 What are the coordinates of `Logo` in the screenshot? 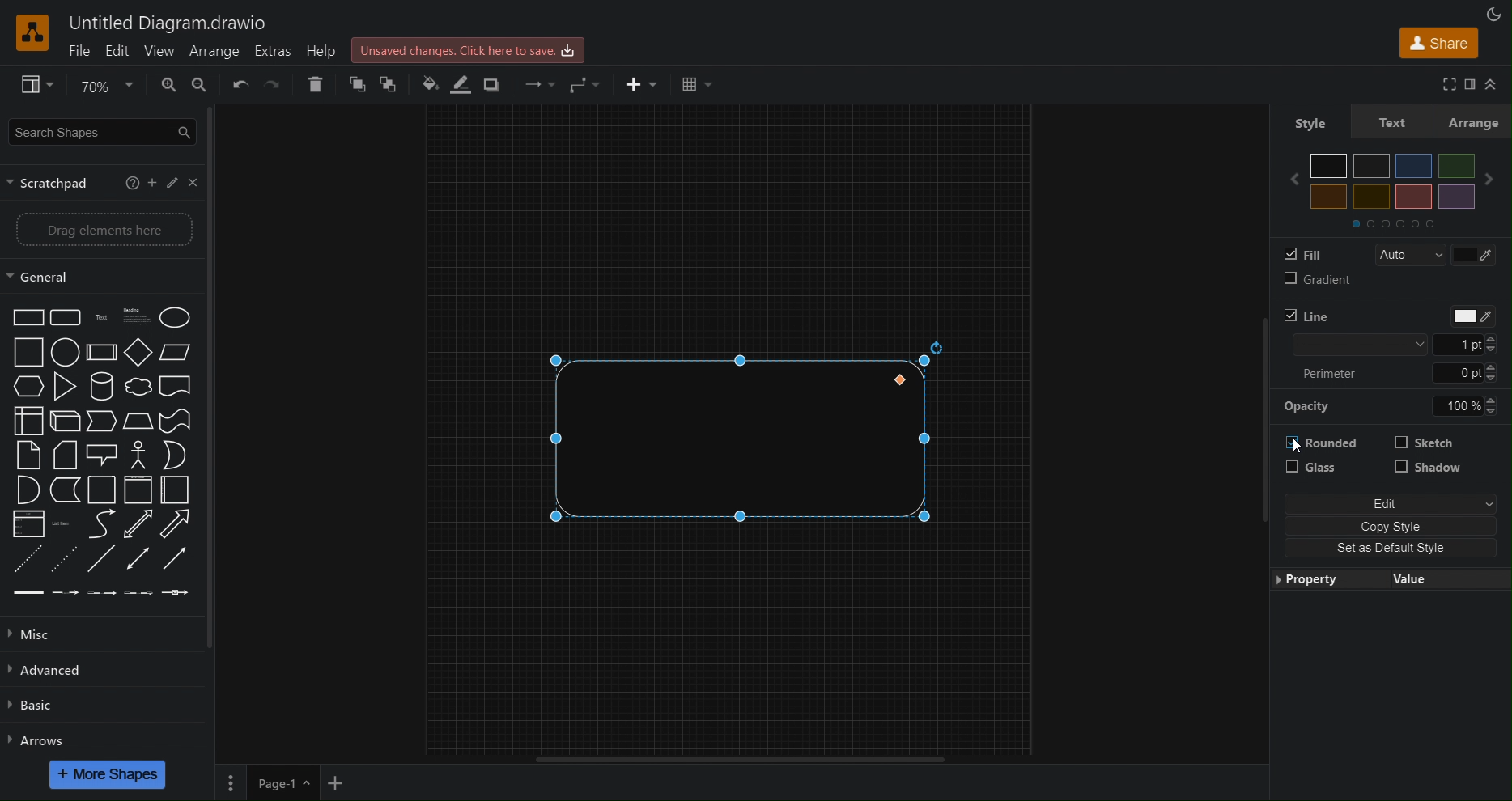 It's located at (32, 32).